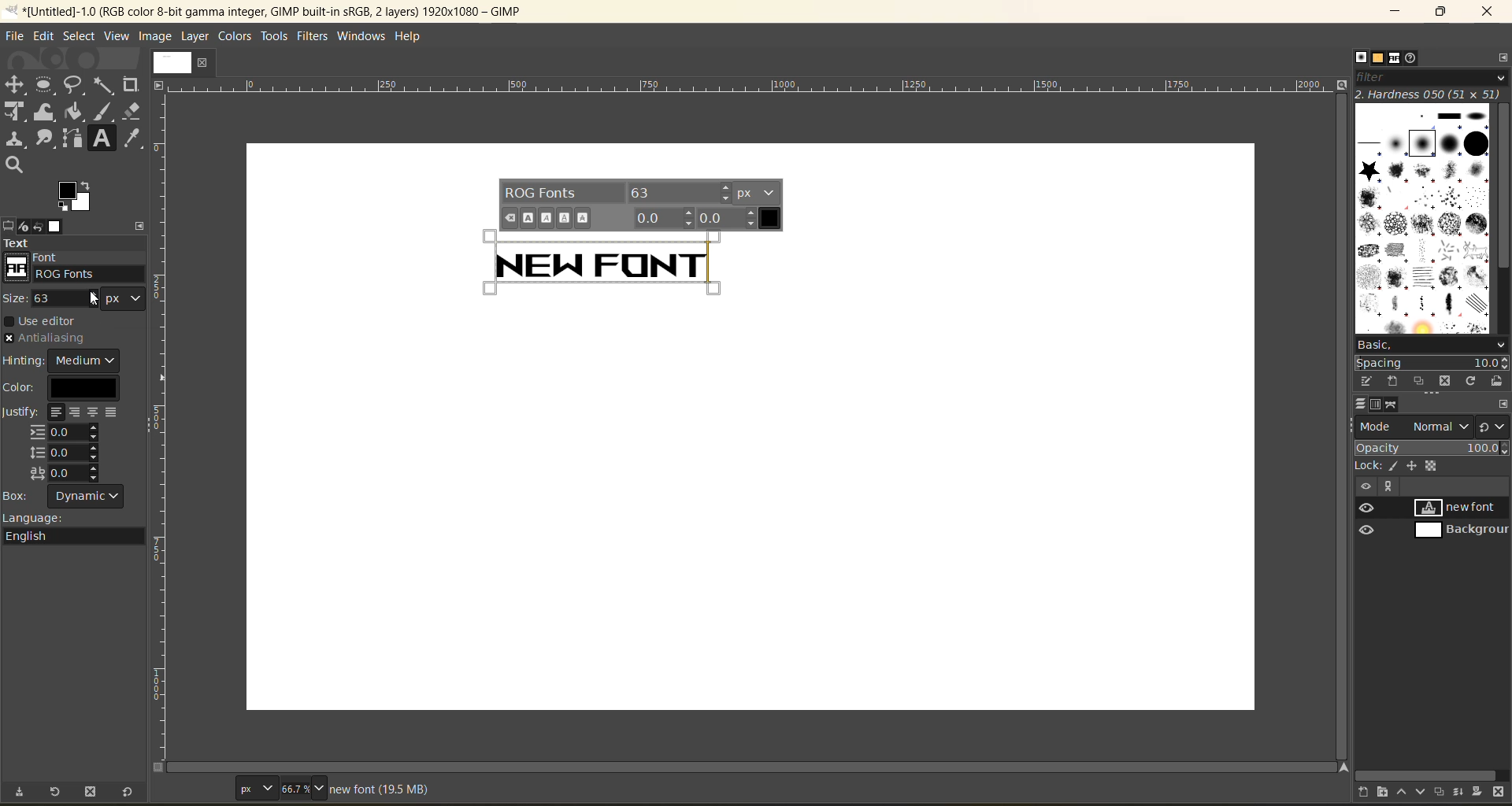 The height and width of the screenshot is (806, 1512). I want to click on tool options, so click(9, 225).